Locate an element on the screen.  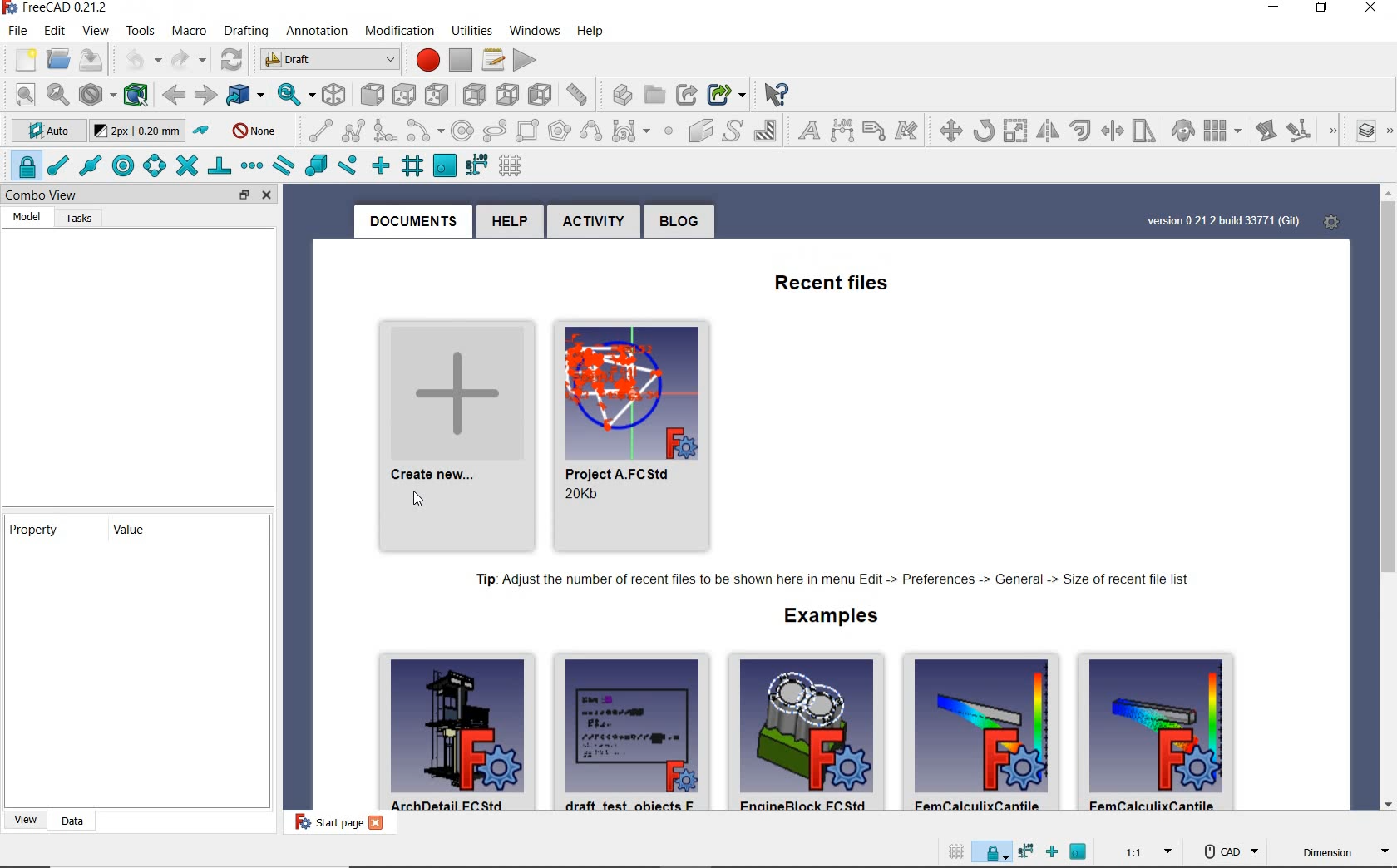
polyline is located at coordinates (353, 131).